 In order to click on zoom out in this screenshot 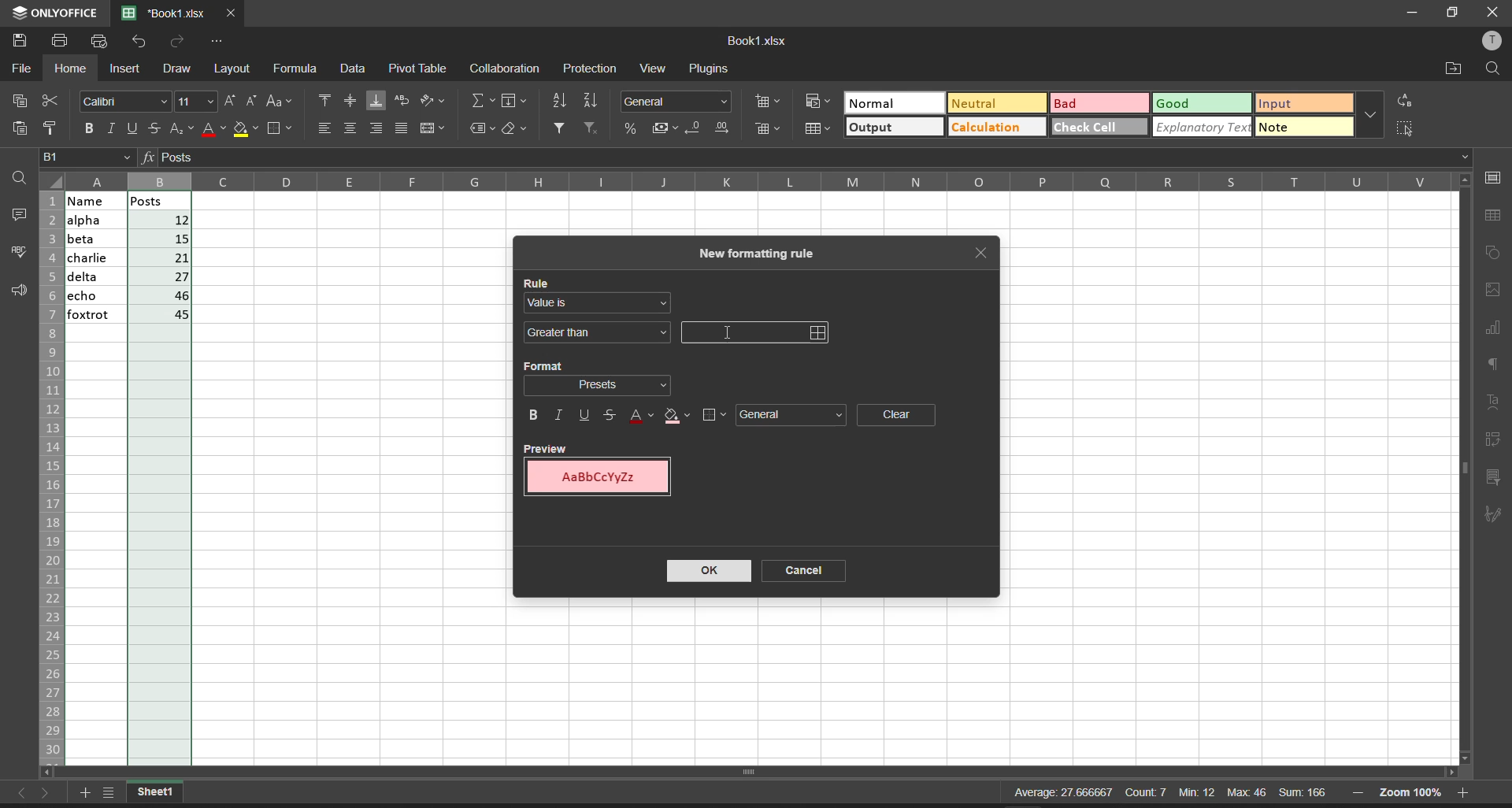, I will do `click(1358, 791)`.